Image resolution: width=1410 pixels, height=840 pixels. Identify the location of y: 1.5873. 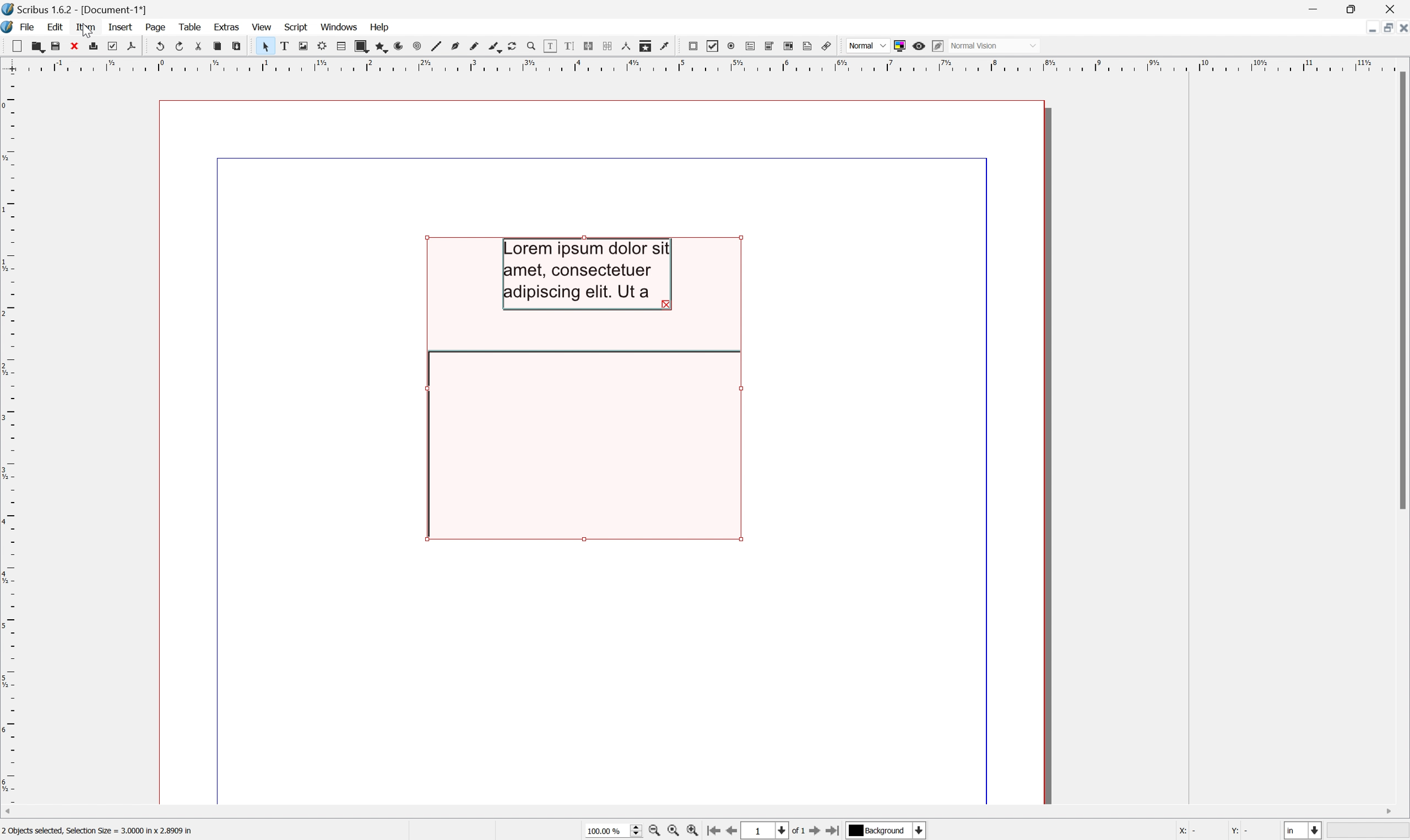
(1249, 832).